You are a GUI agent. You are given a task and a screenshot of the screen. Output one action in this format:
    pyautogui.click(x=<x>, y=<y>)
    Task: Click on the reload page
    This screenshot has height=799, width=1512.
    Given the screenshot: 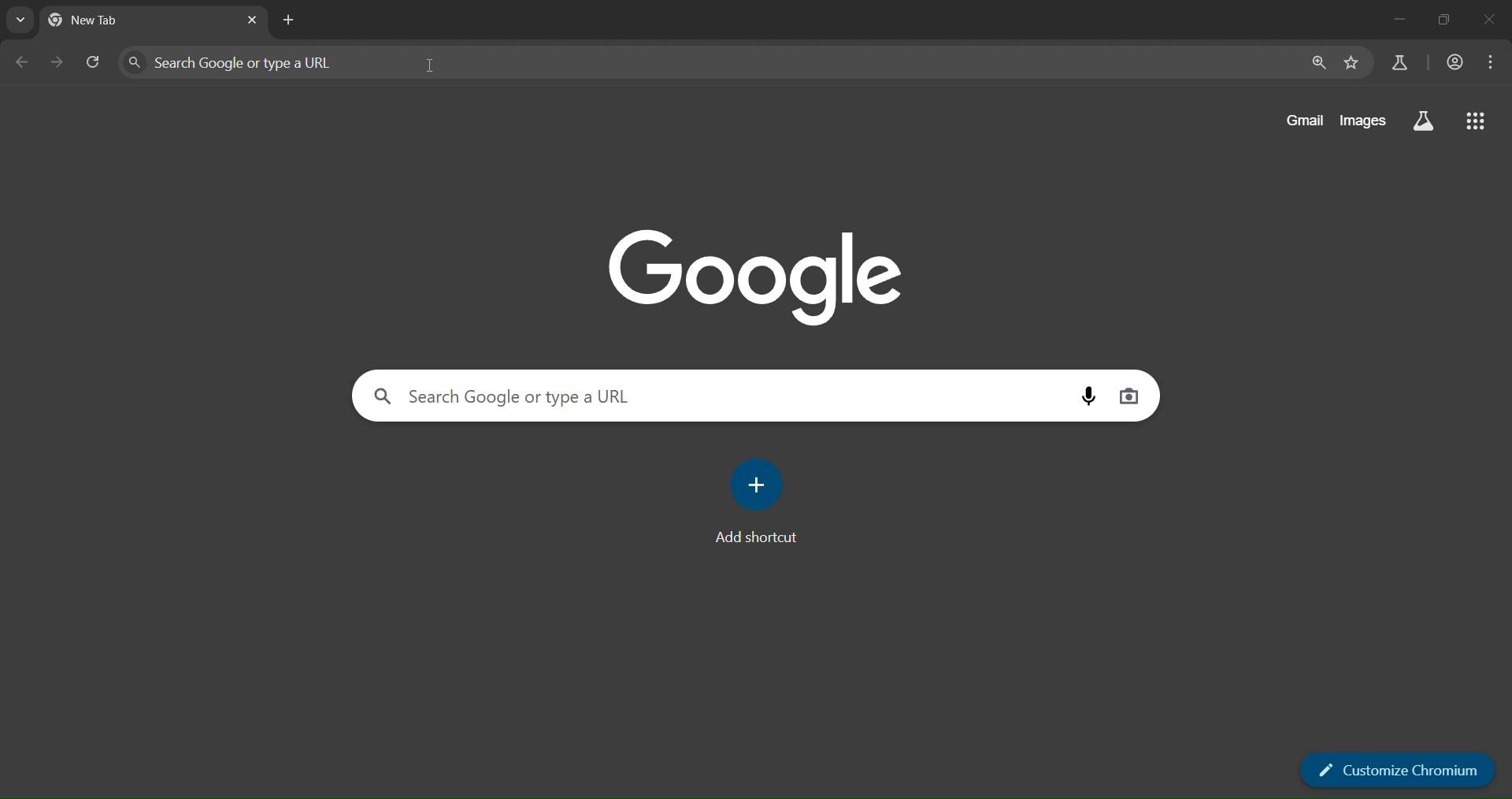 What is the action you would take?
    pyautogui.click(x=94, y=61)
    